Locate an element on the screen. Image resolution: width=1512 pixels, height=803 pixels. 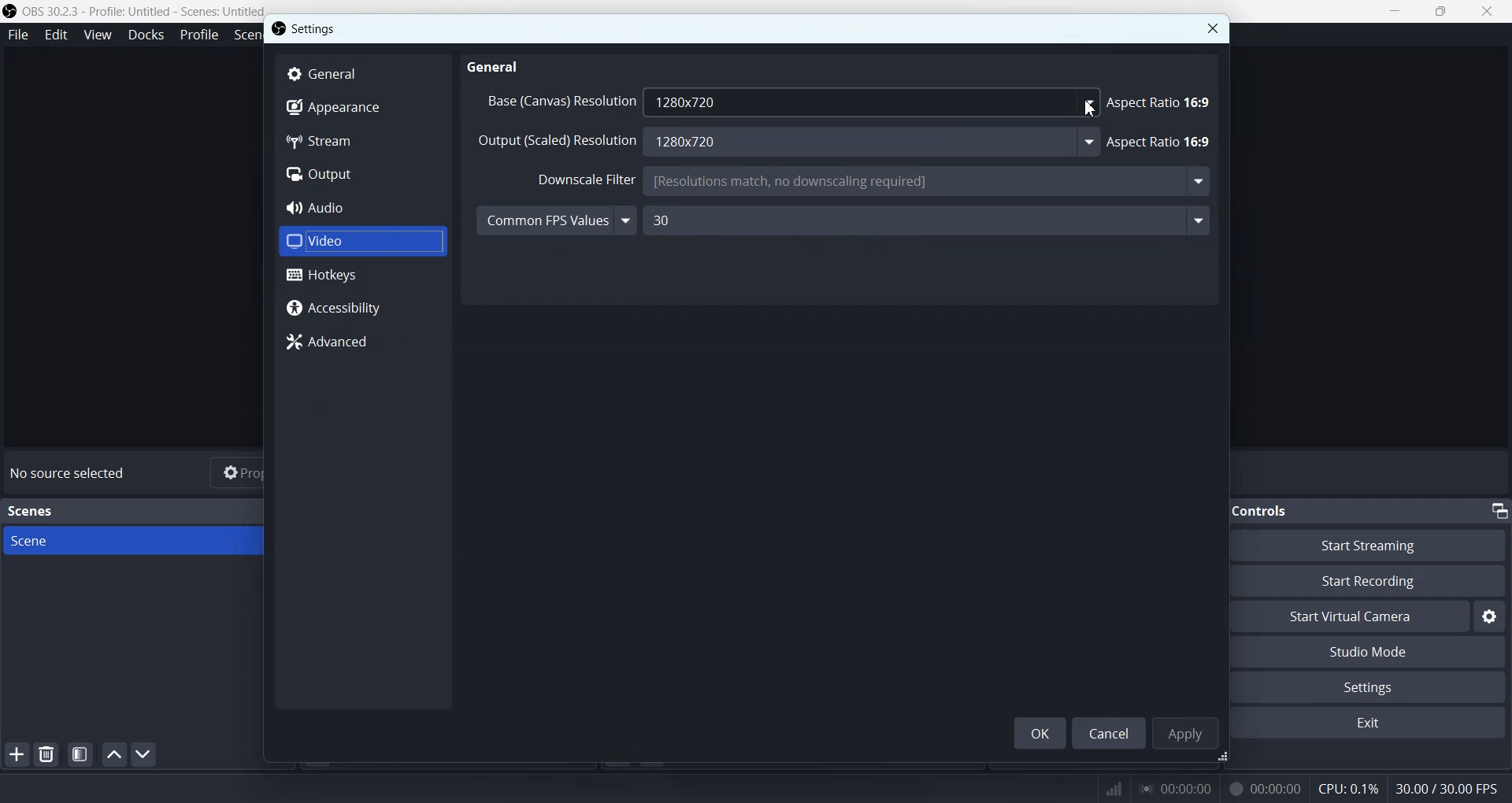
recording time is located at coordinates (1262, 788).